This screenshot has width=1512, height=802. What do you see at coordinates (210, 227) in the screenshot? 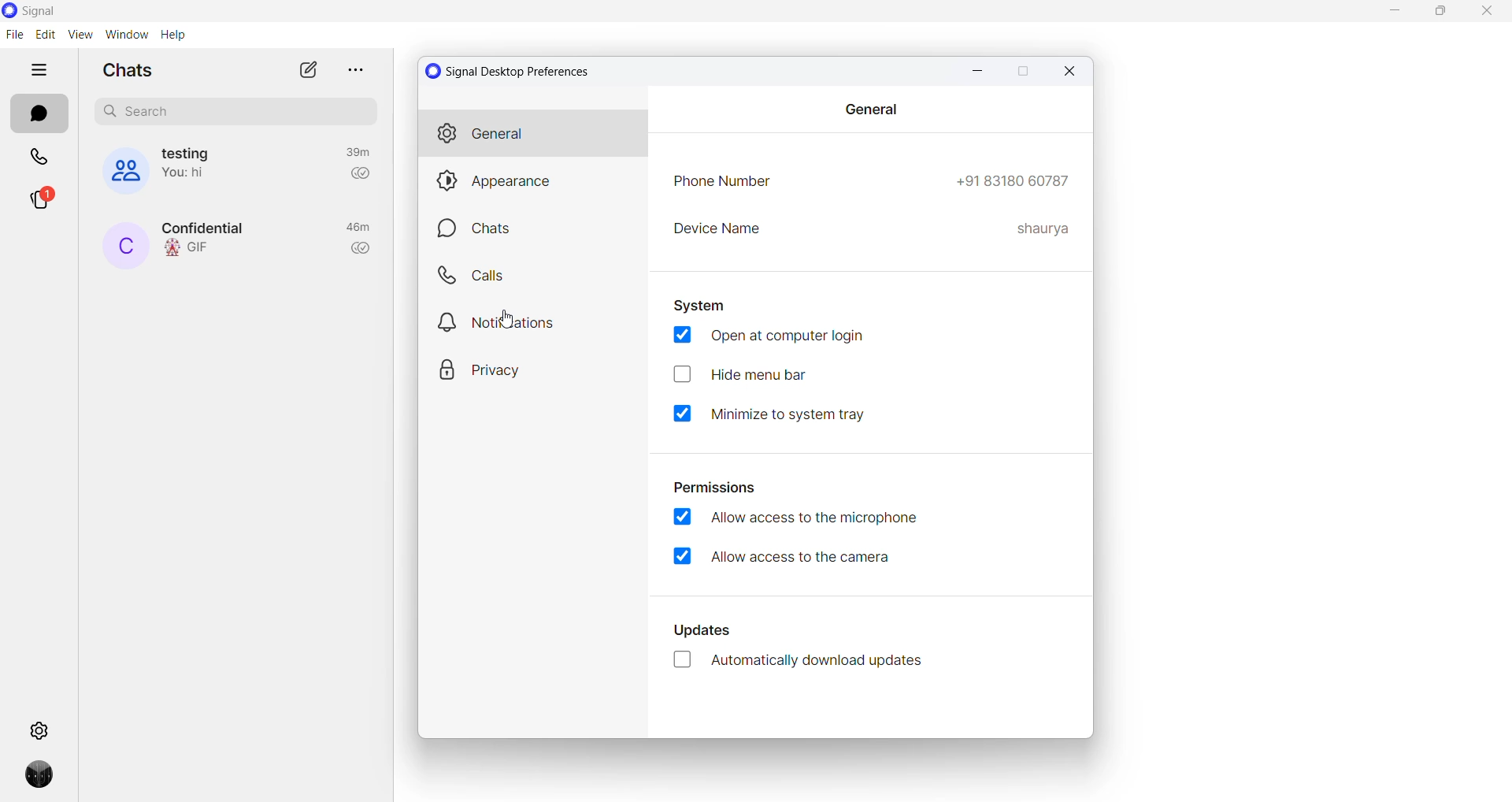
I see `contact name` at bounding box center [210, 227].